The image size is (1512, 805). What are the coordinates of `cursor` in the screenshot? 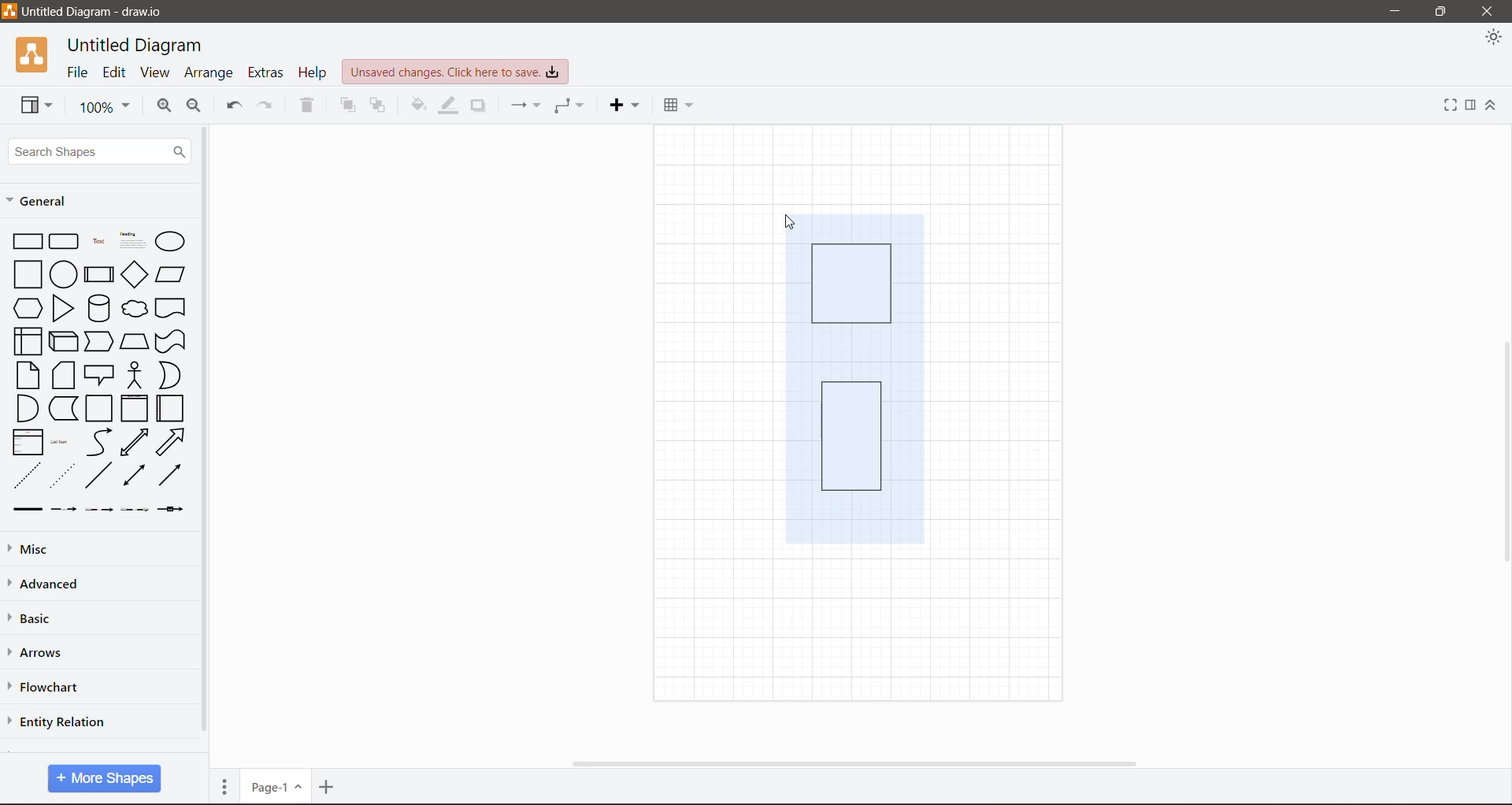 It's located at (794, 223).